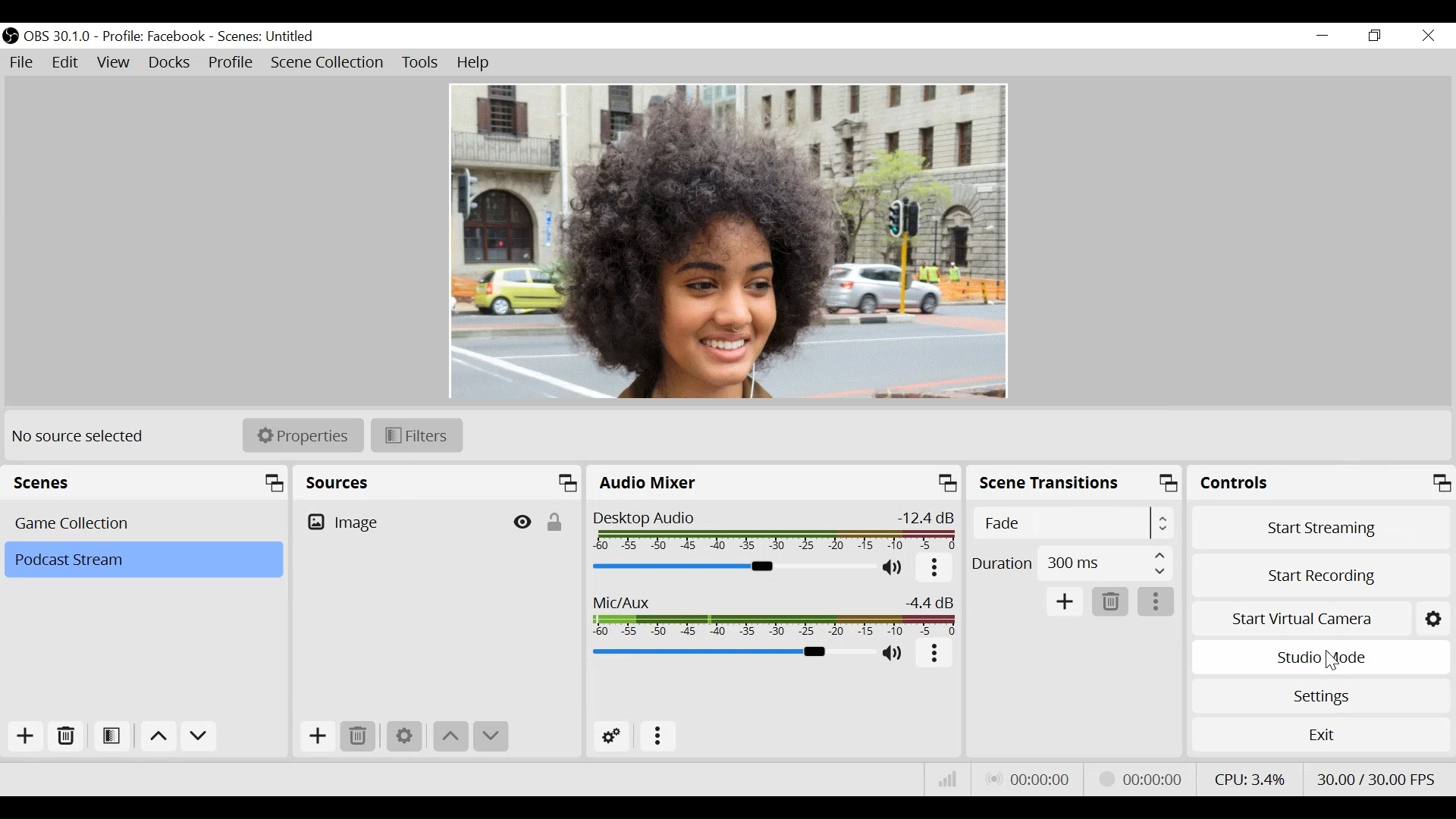 The width and height of the screenshot is (1456, 819). I want to click on Sources, so click(436, 482).